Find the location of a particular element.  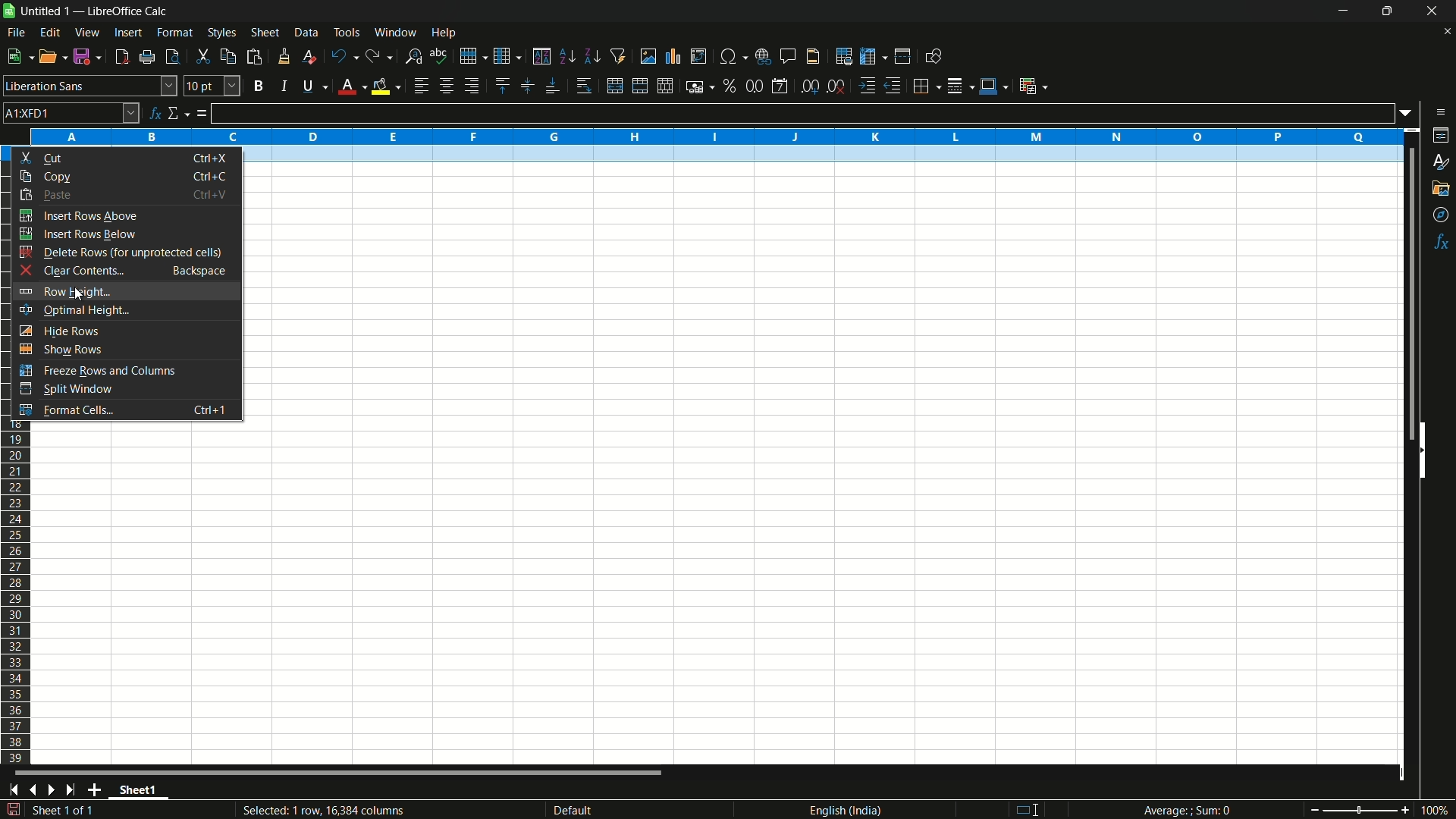

workspace is located at coordinates (714, 596).